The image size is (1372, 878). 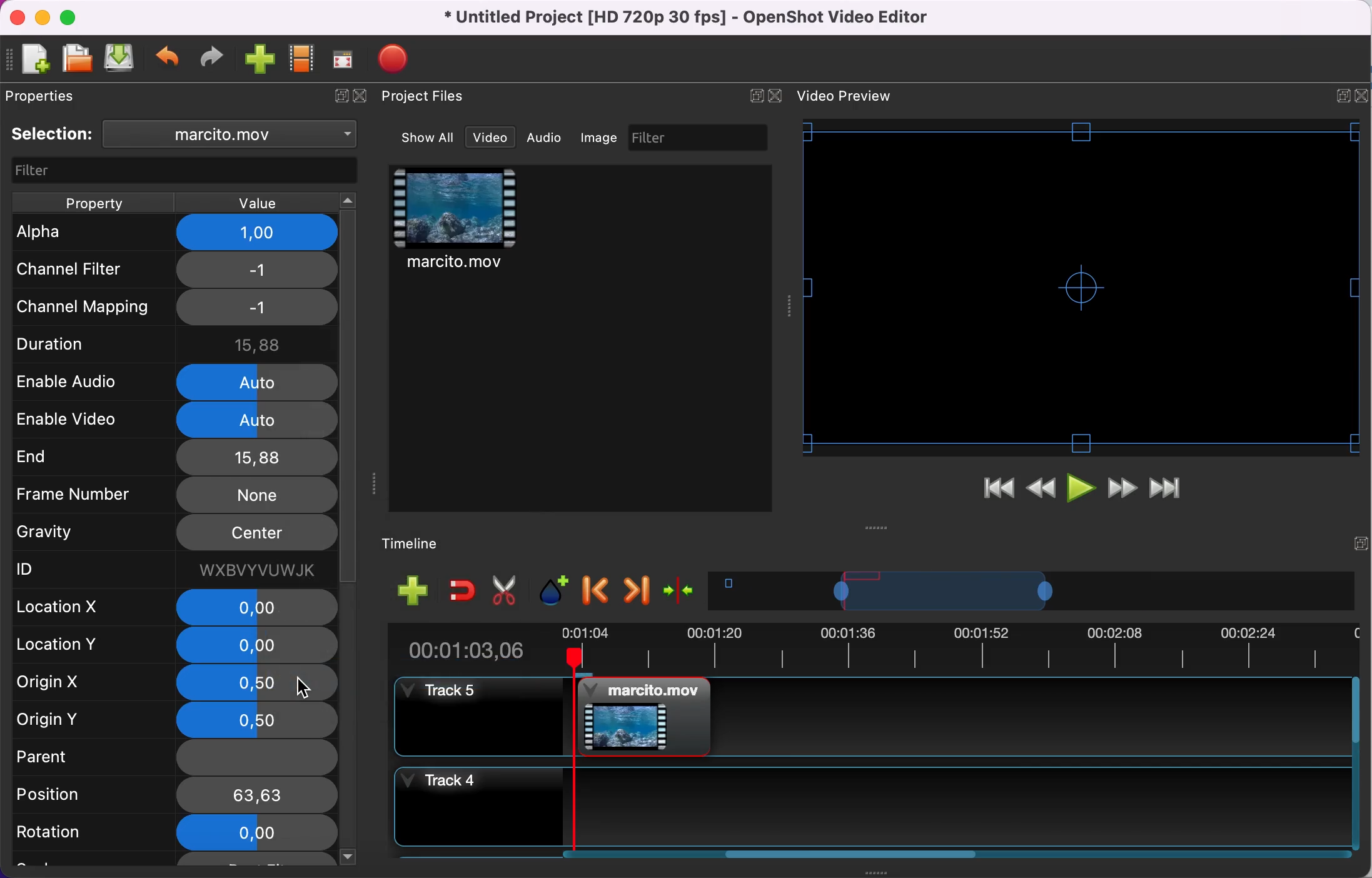 What do you see at coordinates (600, 138) in the screenshot?
I see `image` at bounding box center [600, 138].